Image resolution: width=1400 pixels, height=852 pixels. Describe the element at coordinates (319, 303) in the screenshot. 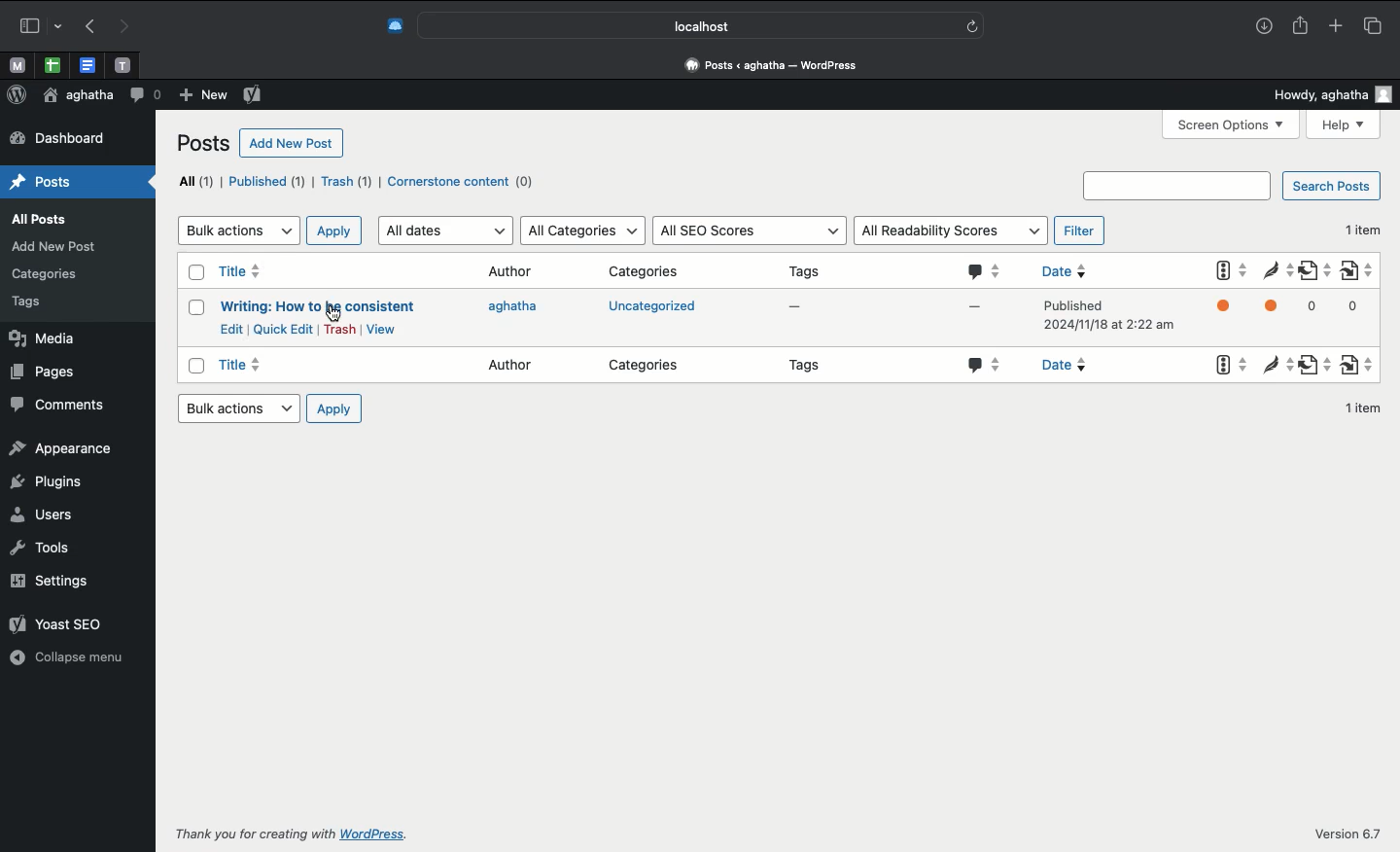

I see `Writing: How to be consistent` at that location.